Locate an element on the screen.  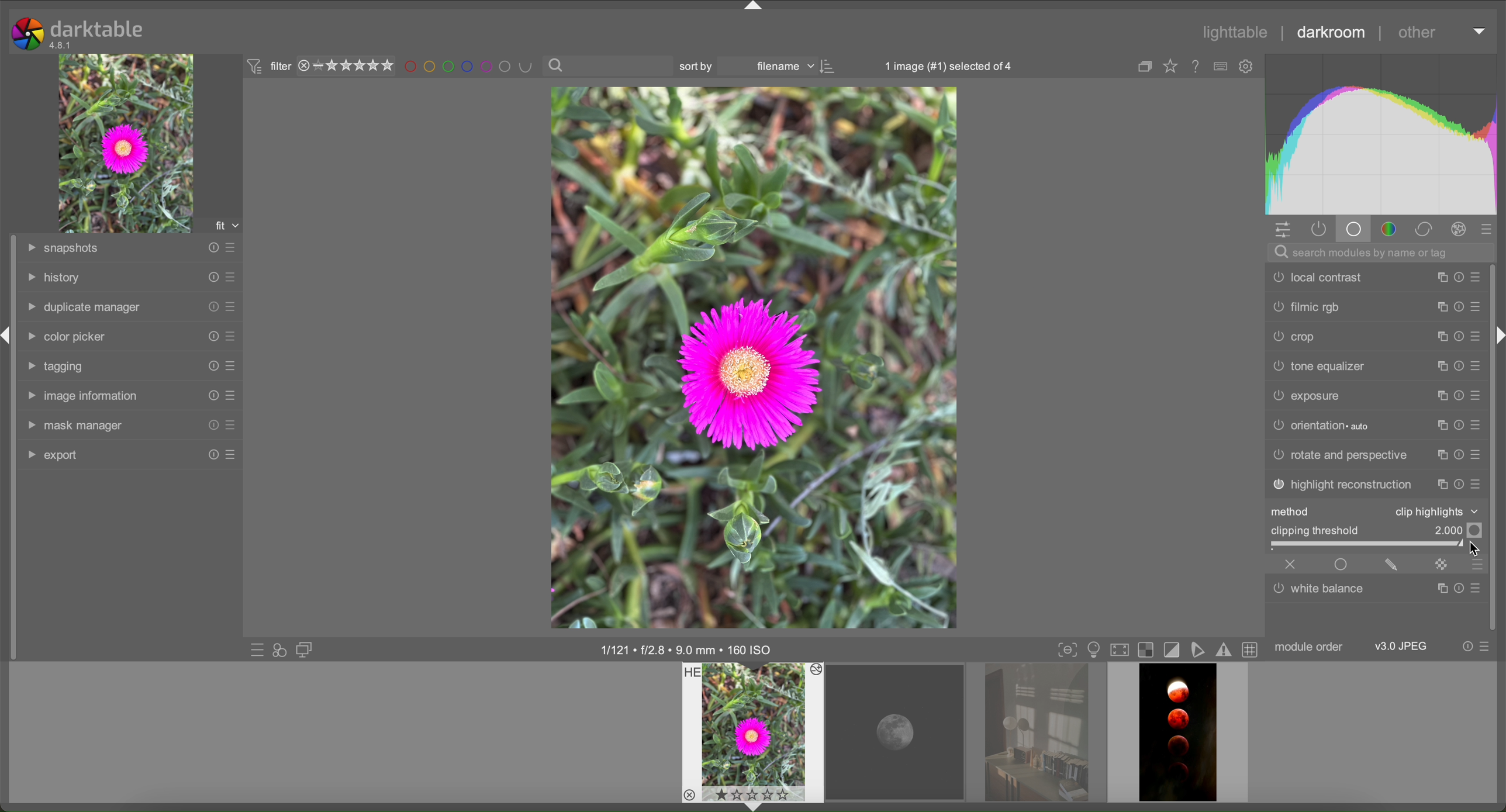
other is located at coordinates (1417, 35).